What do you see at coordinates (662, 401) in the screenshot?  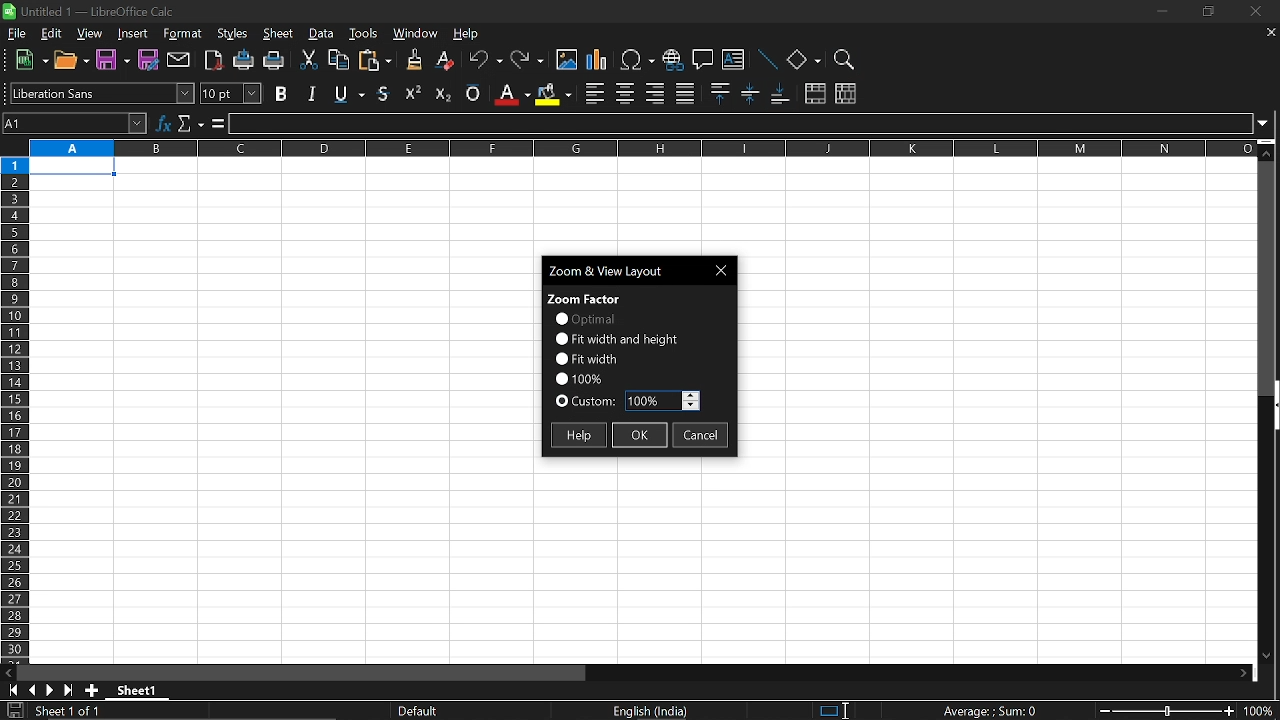 I see `edit zoom` at bounding box center [662, 401].